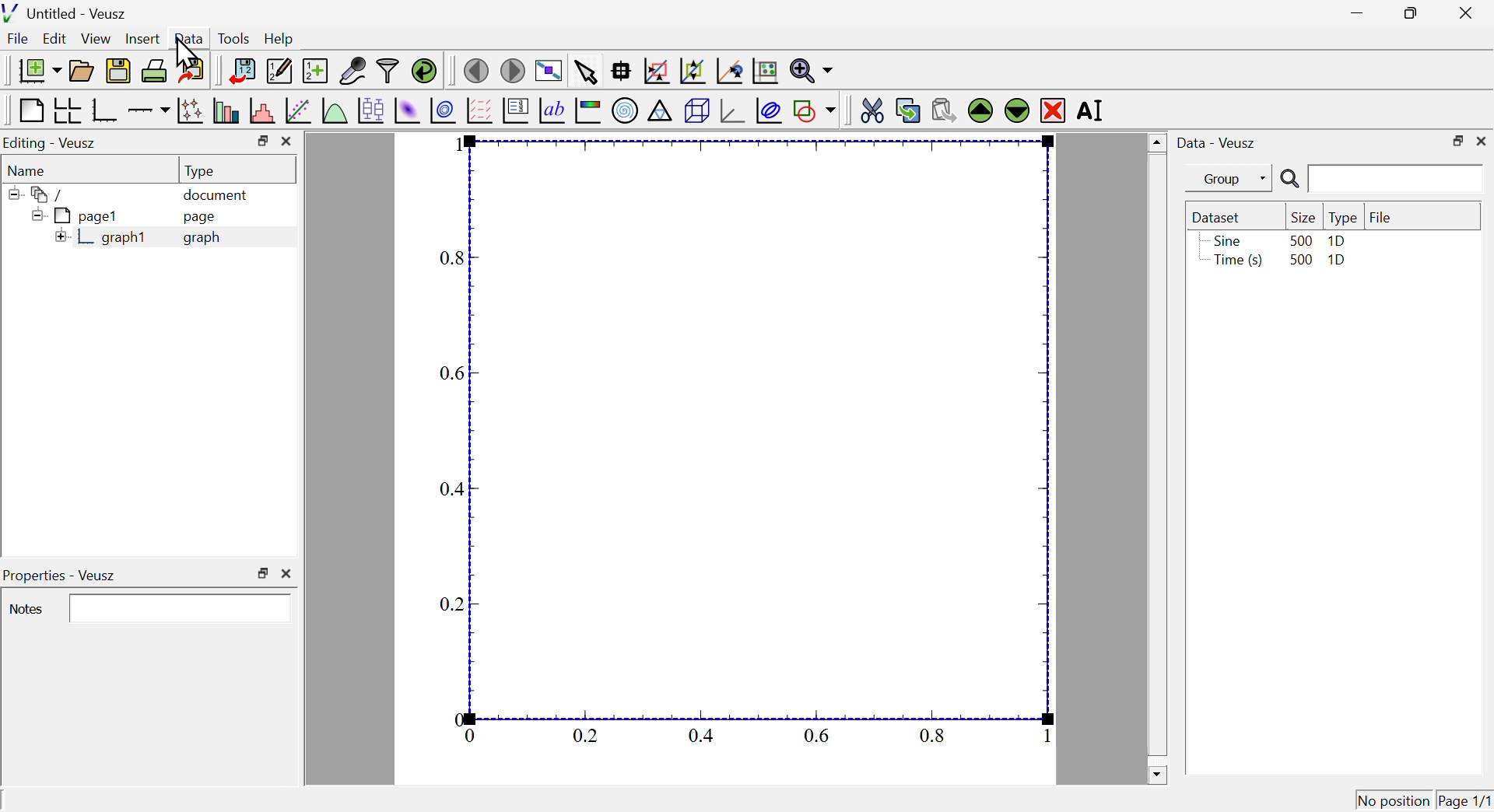  What do you see at coordinates (515, 70) in the screenshot?
I see `move to the next page` at bounding box center [515, 70].